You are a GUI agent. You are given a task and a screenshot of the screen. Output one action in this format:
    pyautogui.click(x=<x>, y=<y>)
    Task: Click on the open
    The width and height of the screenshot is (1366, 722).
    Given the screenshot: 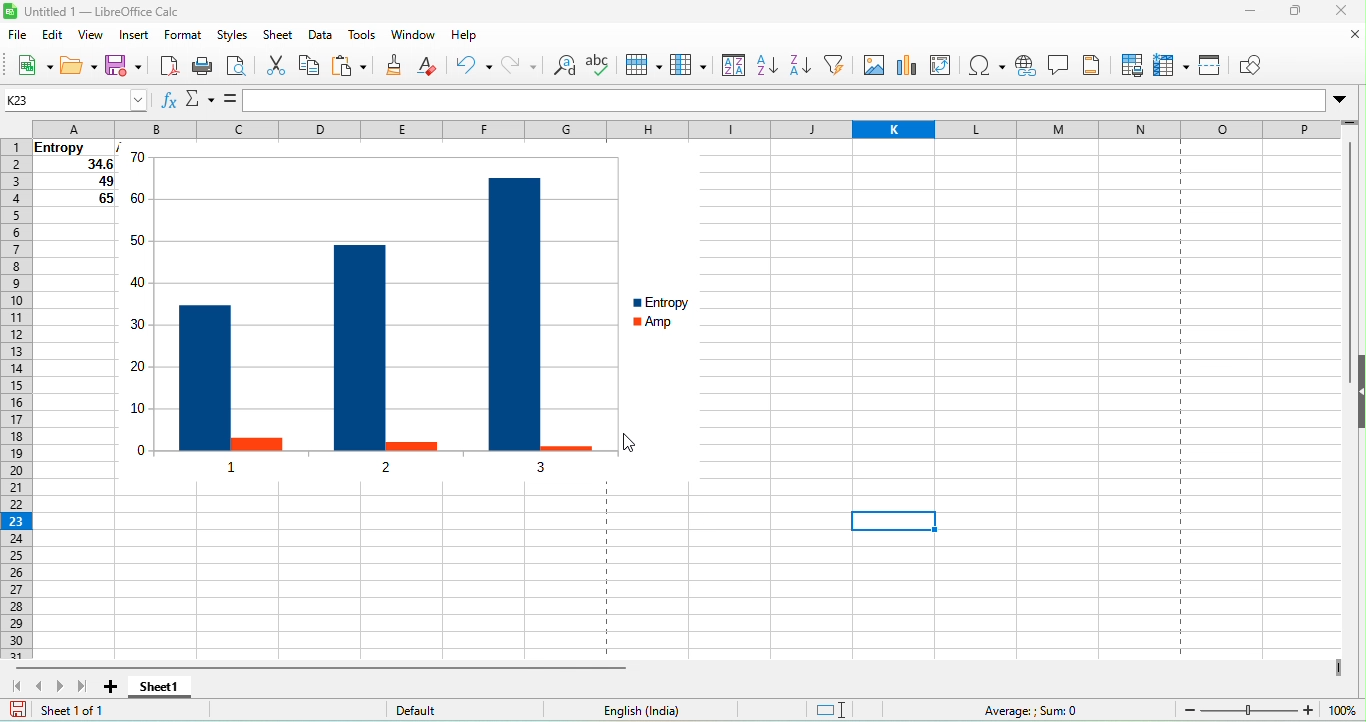 What is the action you would take?
    pyautogui.click(x=82, y=65)
    